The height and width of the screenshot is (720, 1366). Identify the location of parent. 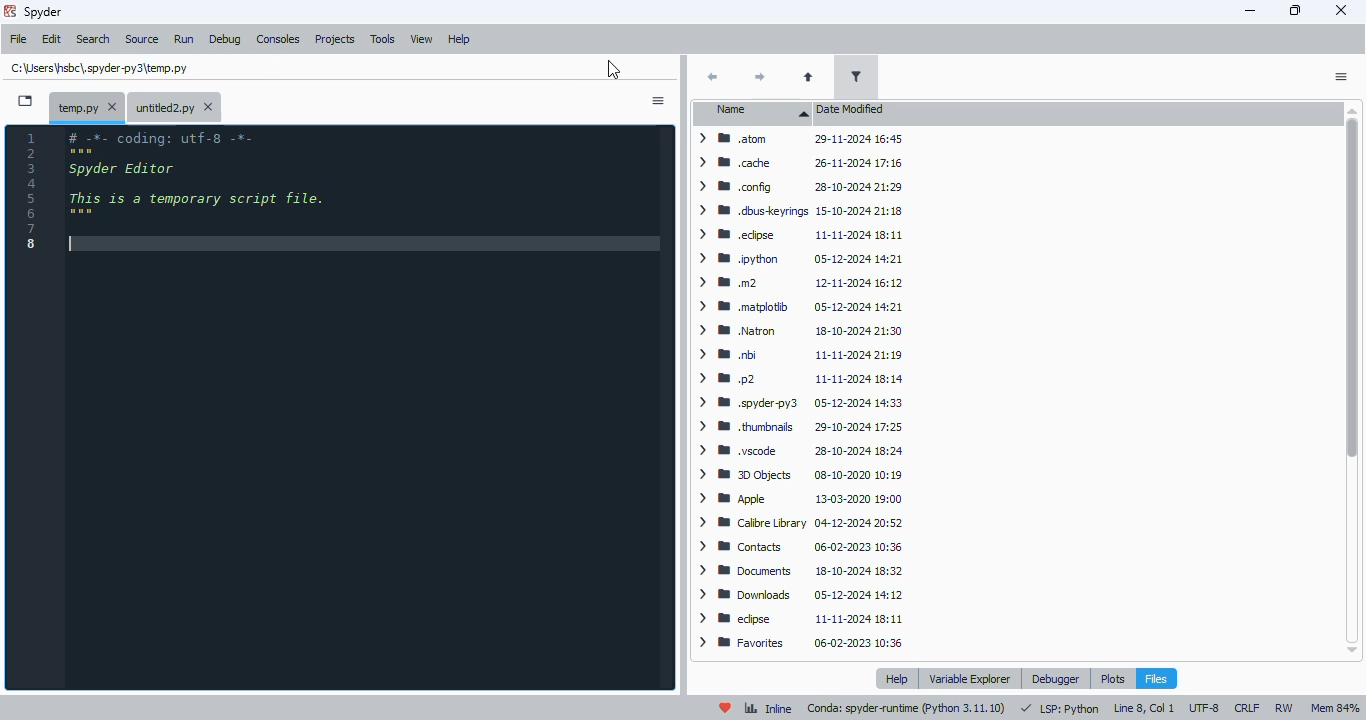
(808, 77).